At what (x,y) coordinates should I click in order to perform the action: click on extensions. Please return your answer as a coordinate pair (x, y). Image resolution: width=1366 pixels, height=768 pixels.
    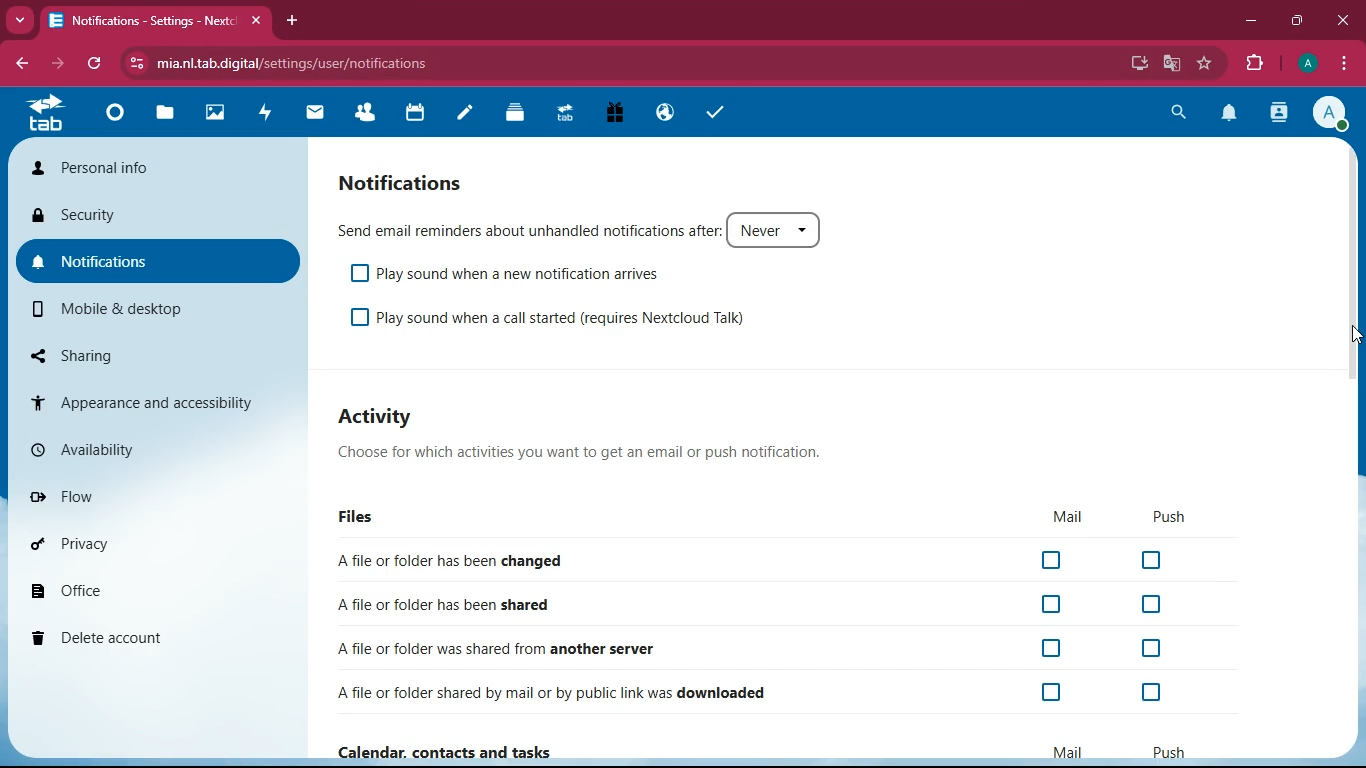
    Looking at the image, I should click on (1253, 65).